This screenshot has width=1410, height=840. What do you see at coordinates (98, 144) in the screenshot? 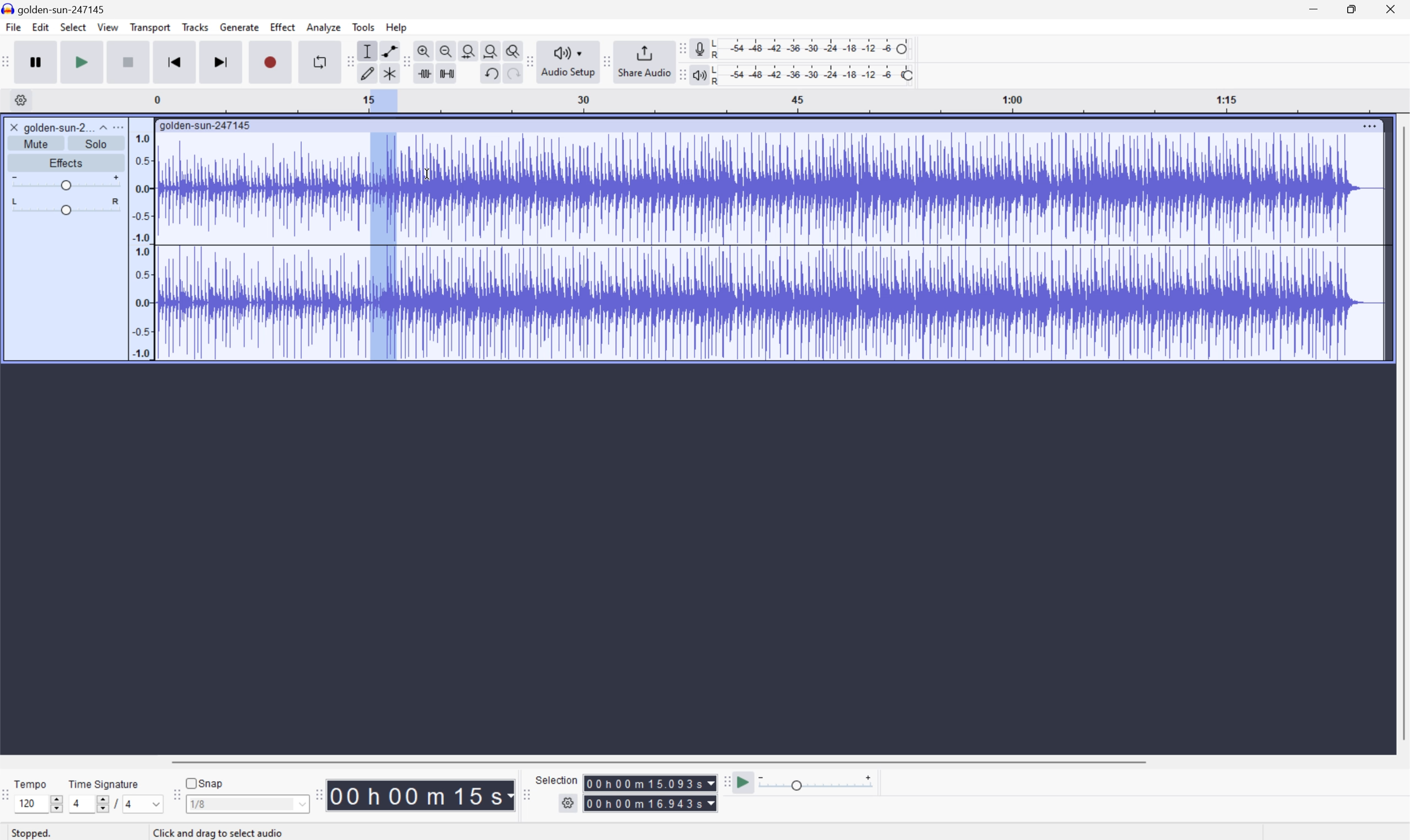
I see `Solo` at bounding box center [98, 144].